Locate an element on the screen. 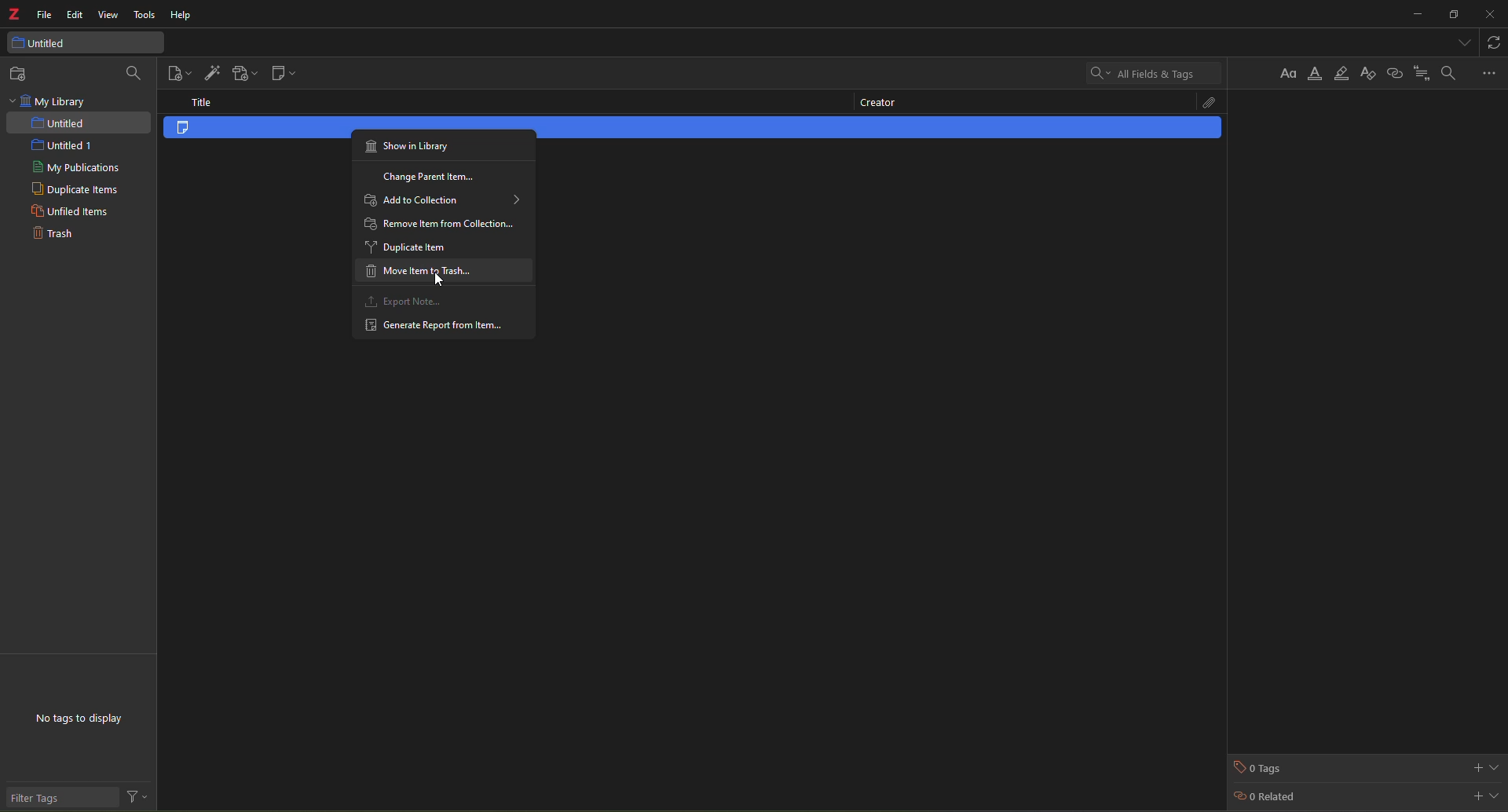  sync is located at coordinates (1496, 41).